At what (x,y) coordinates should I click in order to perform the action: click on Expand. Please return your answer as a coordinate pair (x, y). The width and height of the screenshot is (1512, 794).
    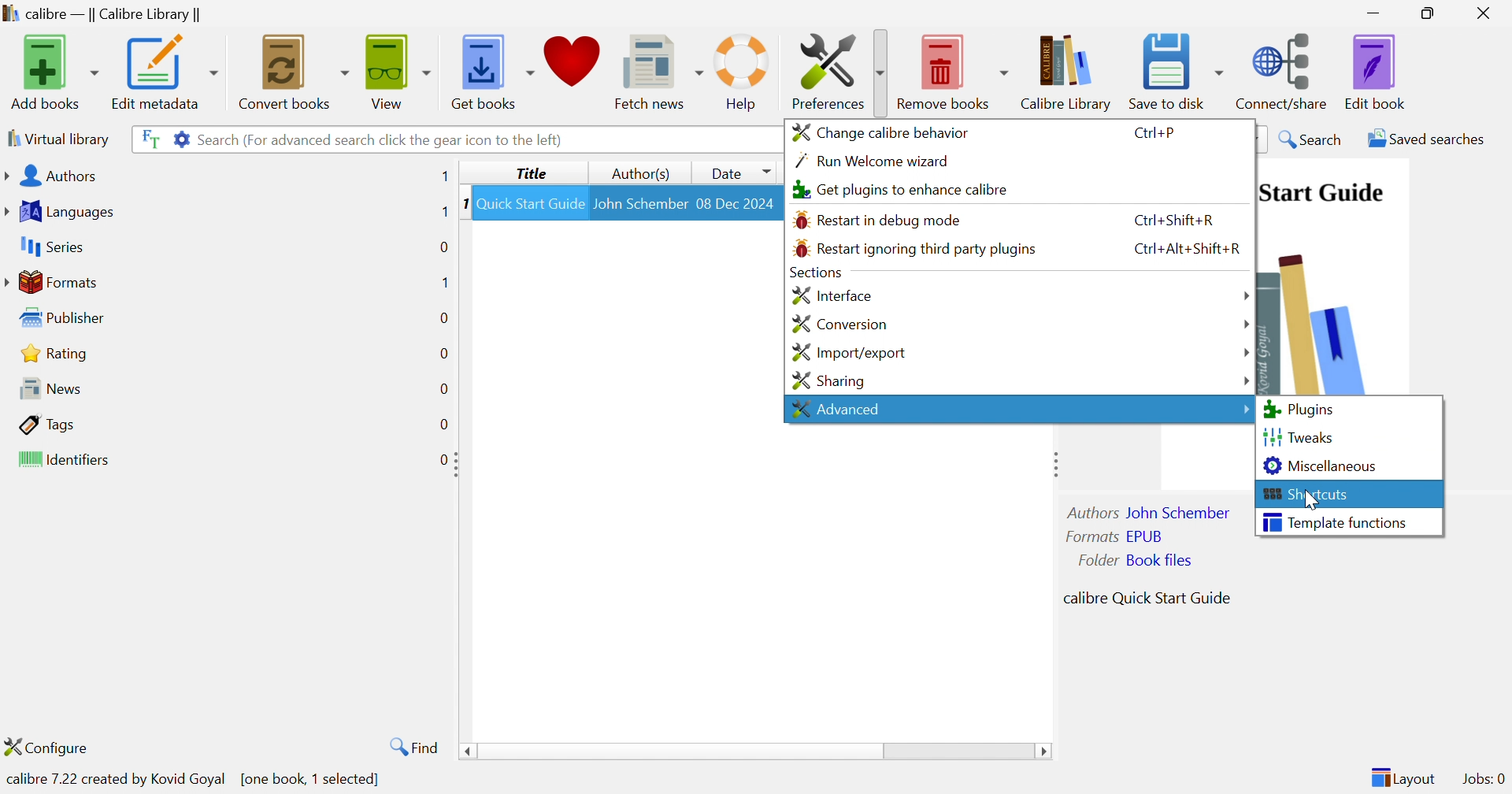
    Looking at the image, I should click on (459, 465).